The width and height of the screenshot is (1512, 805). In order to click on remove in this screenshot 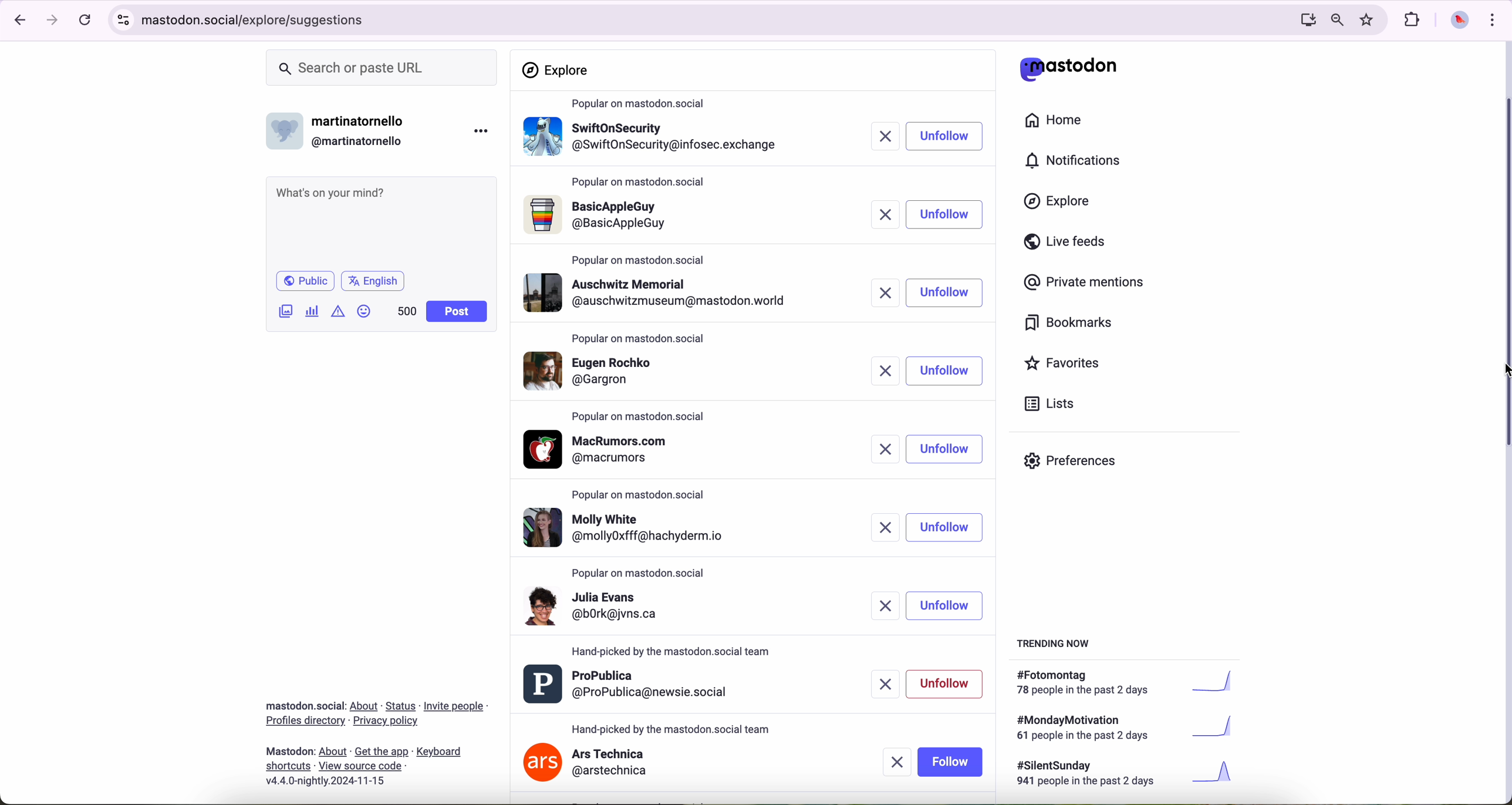, I will do `click(882, 137)`.